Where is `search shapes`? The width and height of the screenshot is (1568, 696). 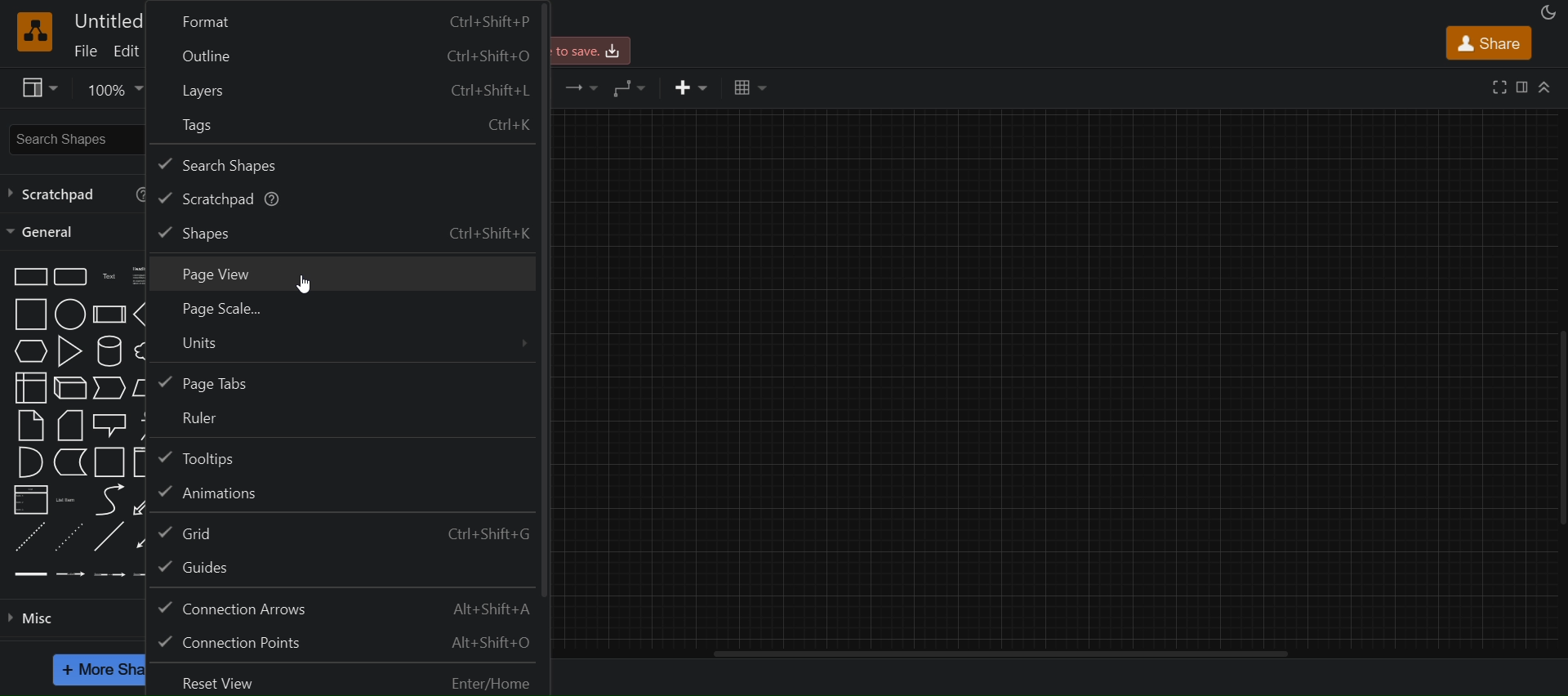
search shapes is located at coordinates (344, 162).